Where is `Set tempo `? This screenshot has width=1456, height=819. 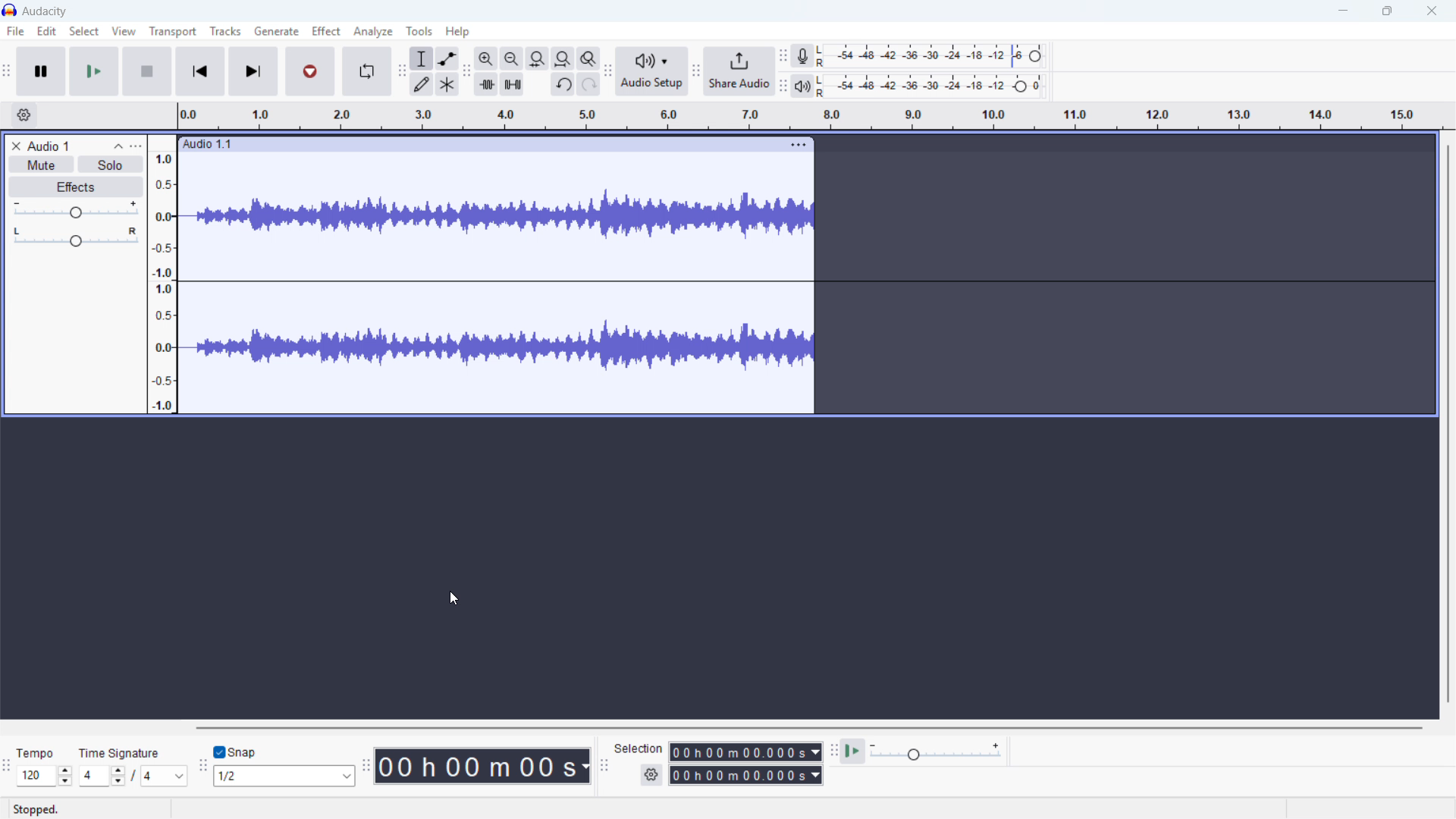
Set tempo  is located at coordinates (44, 775).